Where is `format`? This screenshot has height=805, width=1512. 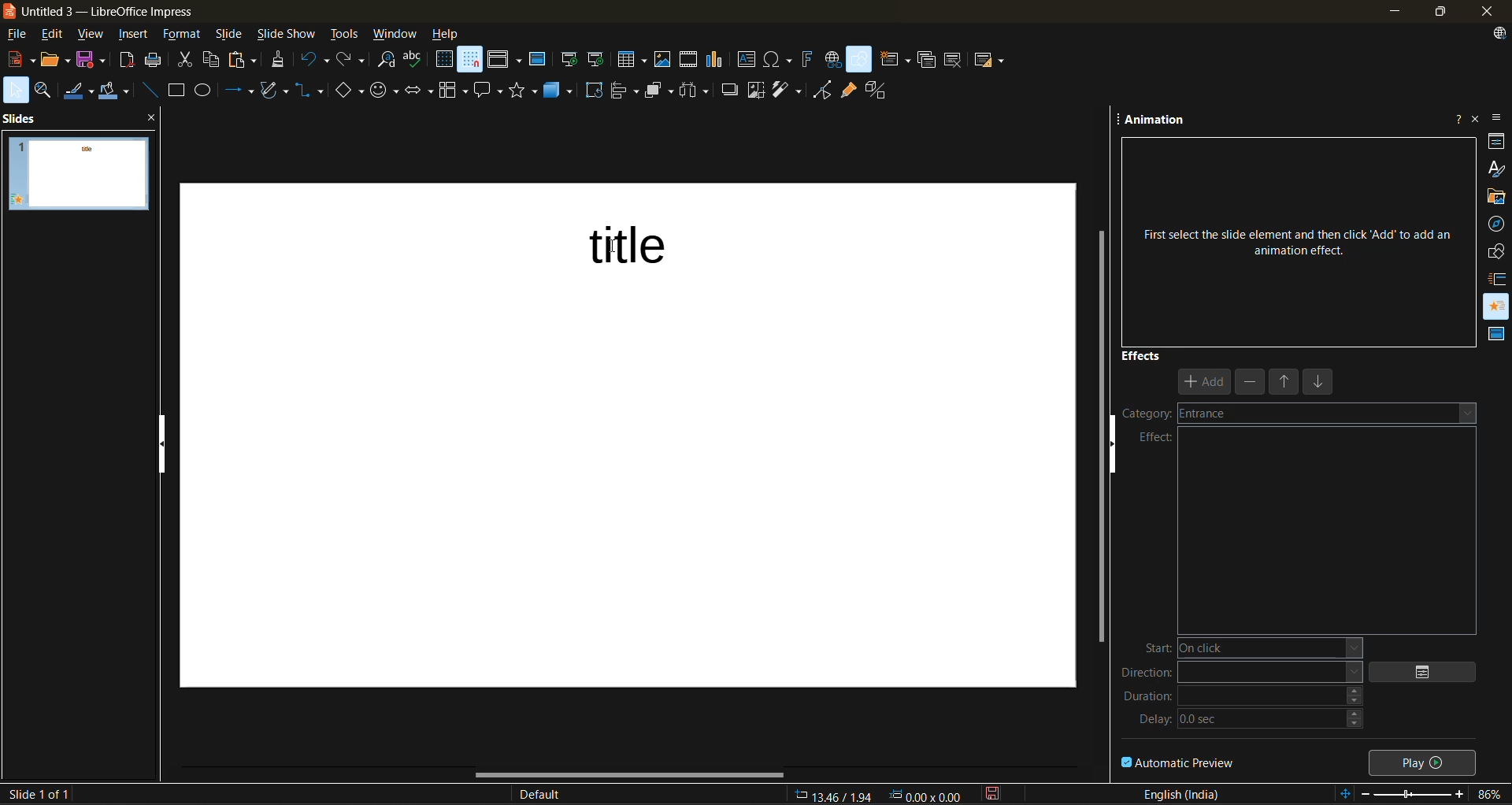 format is located at coordinates (182, 36).